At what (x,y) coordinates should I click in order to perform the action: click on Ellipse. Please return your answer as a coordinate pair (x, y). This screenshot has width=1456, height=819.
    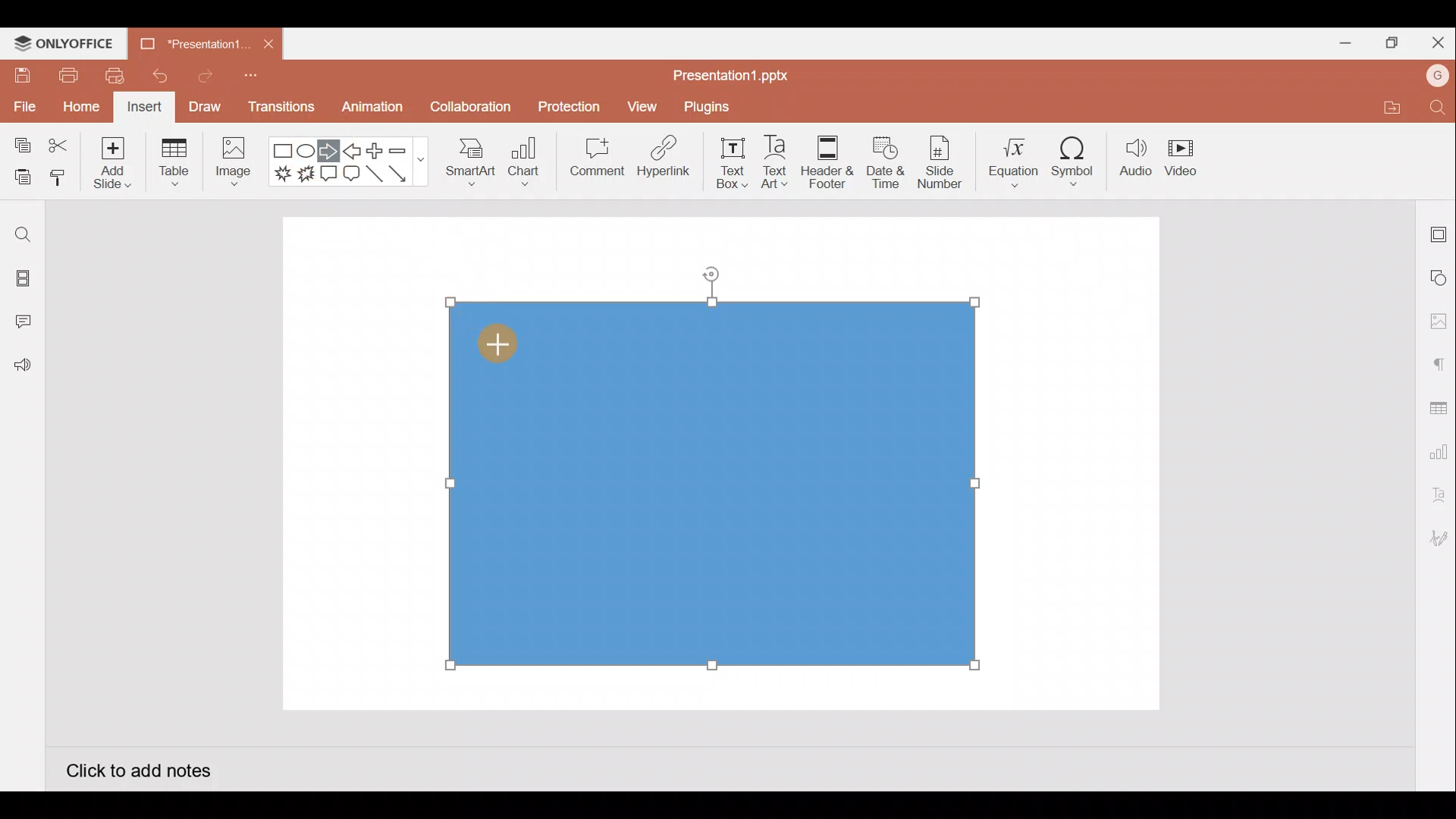
    Looking at the image, I should click on (308, 150).